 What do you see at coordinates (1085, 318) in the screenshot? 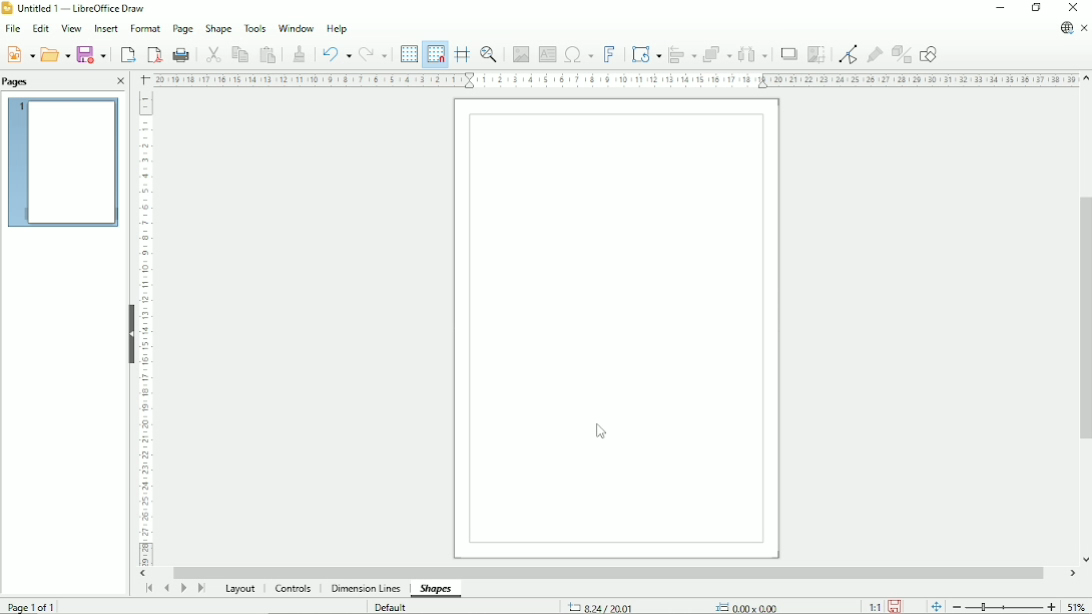
I see `Vertical scrollbar` at bounding box center [1085, 318].